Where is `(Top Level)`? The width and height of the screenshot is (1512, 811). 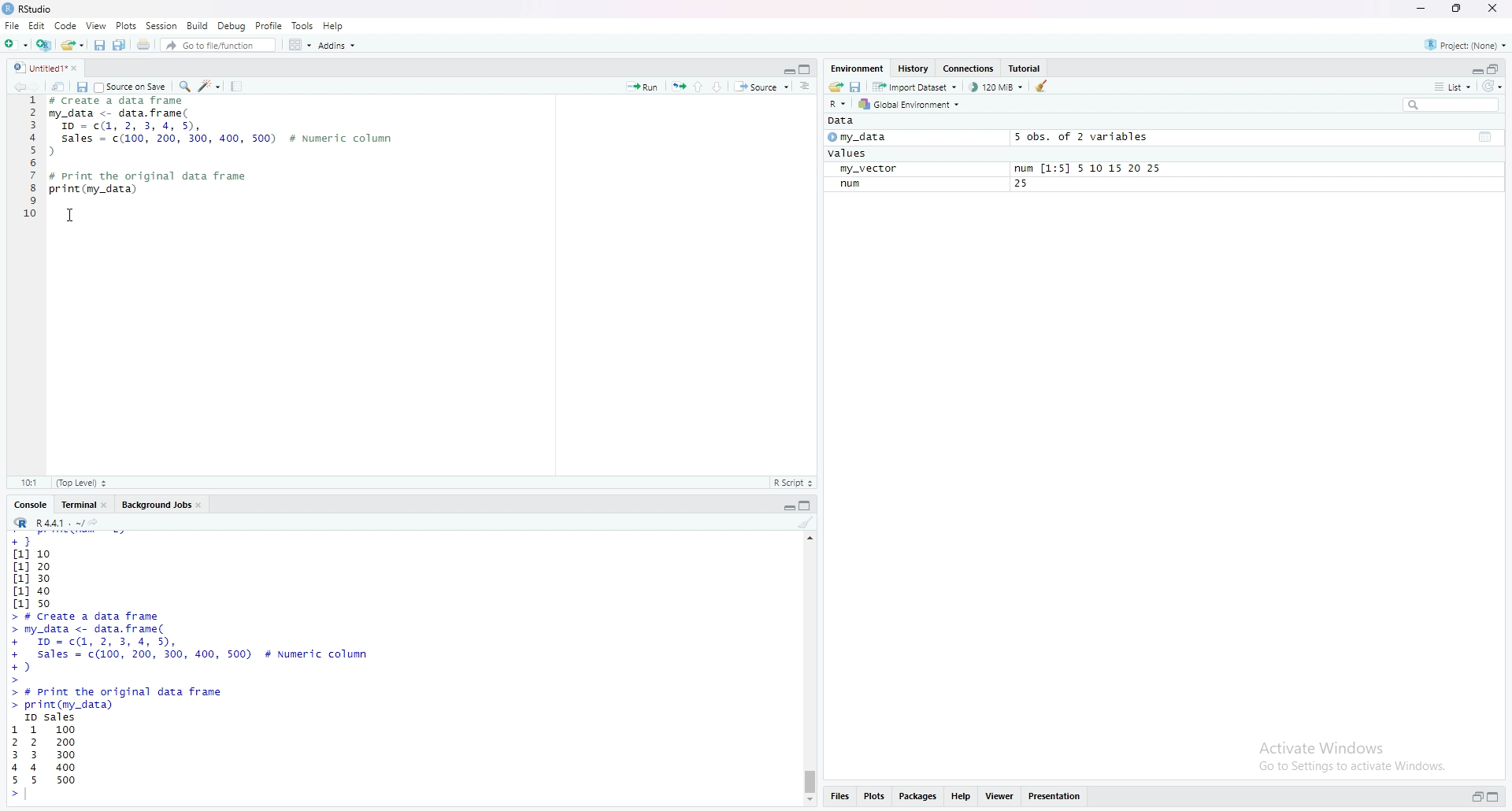 (Top Level) is located at coordinates (83, 483).